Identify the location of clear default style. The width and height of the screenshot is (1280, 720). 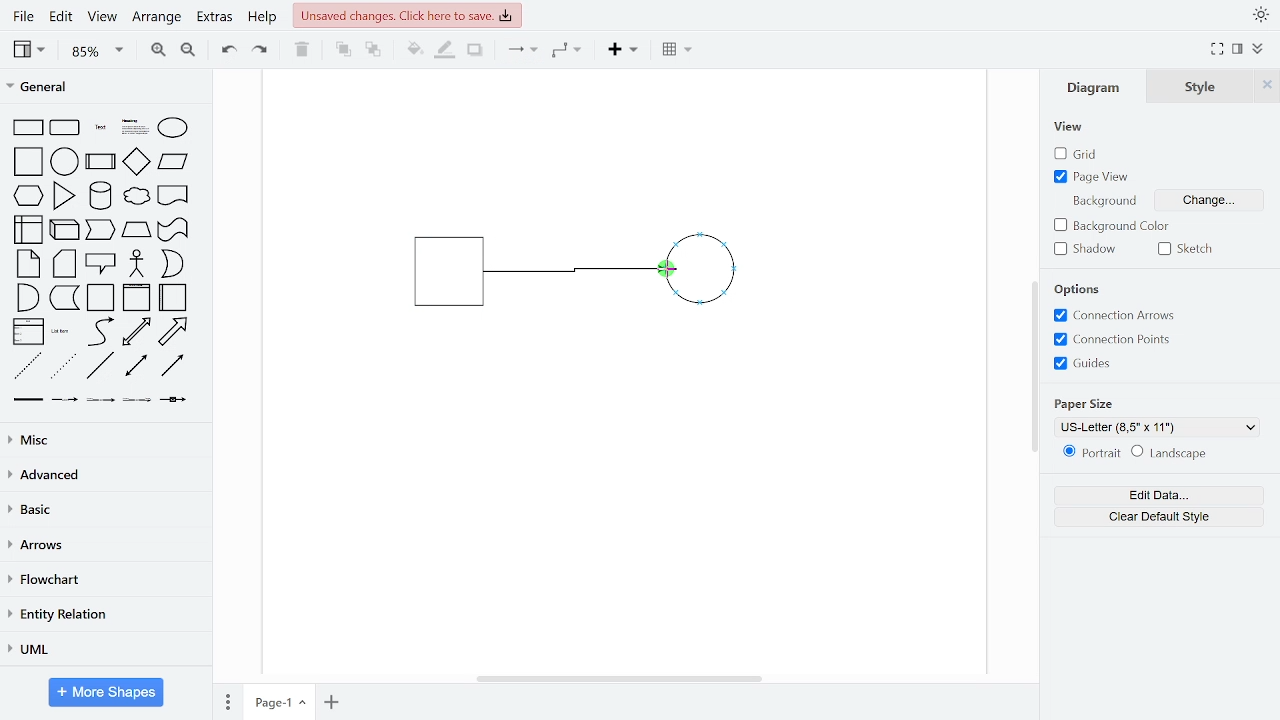
(1169, 454).